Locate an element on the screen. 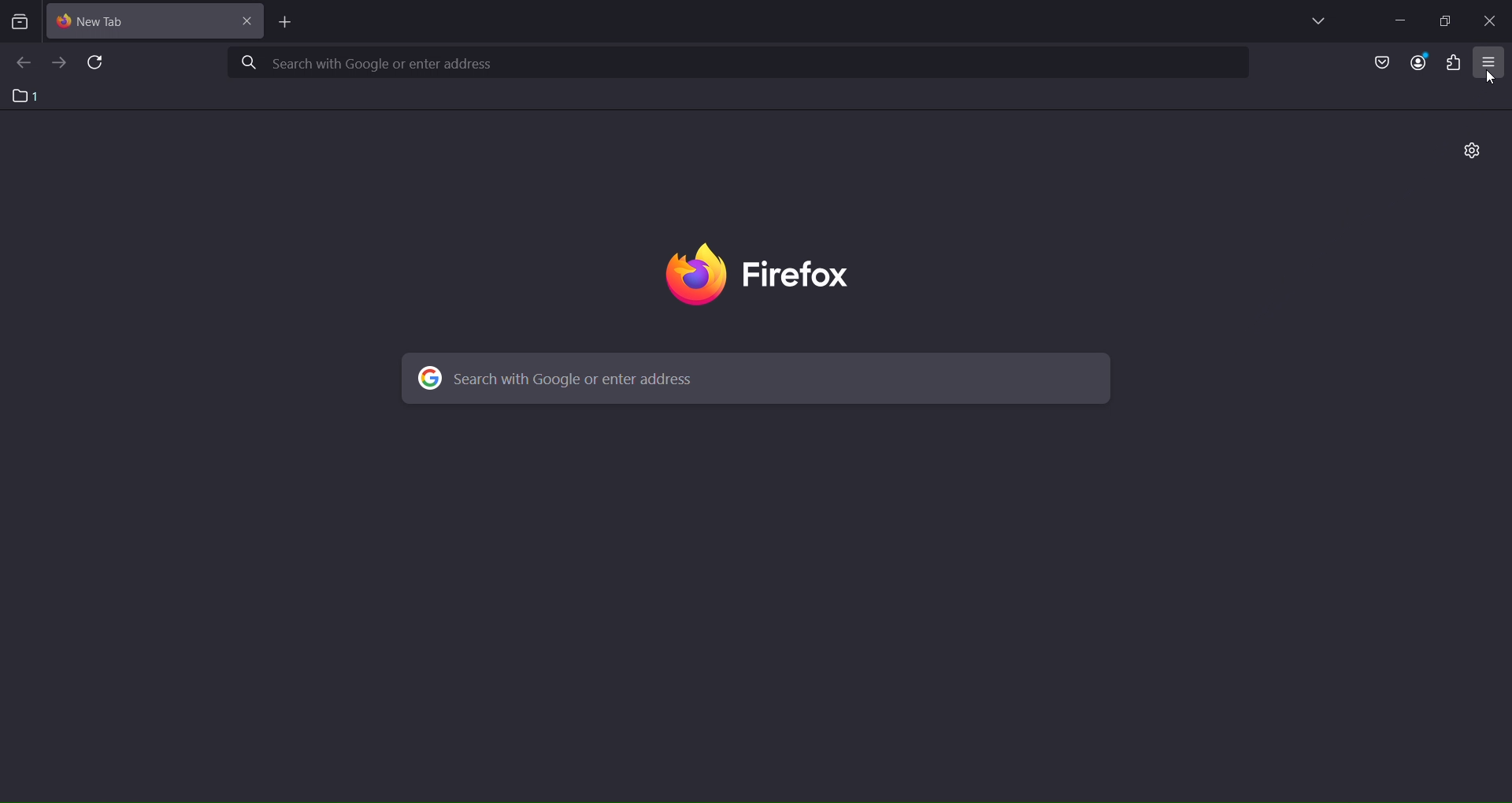 The image size is (1512, 803). search tabs is located at coordinates (20, 24).